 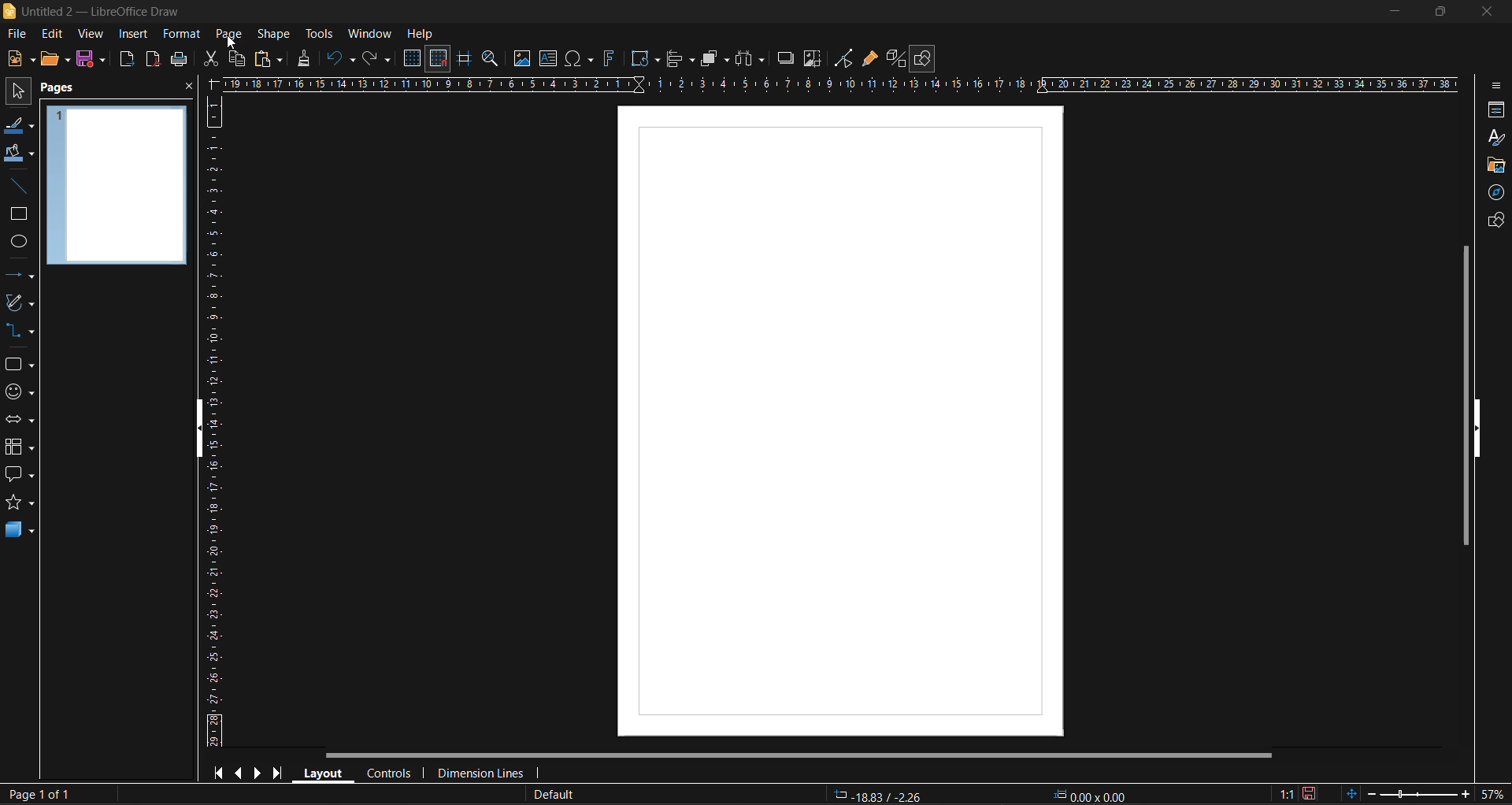 I want to click on controls, so click(x=391, y=773).